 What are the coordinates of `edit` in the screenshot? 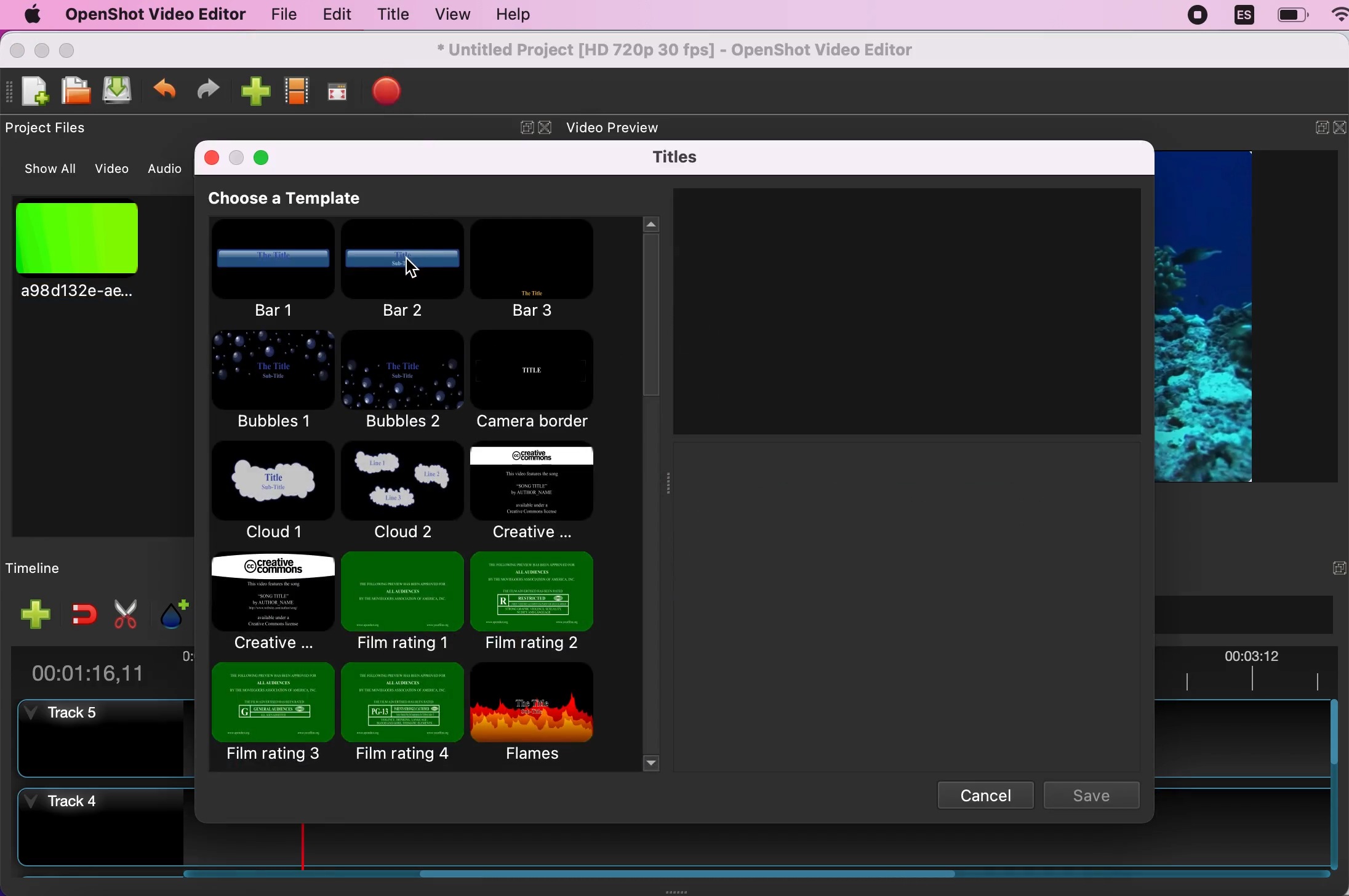 It's located at (334, 15).